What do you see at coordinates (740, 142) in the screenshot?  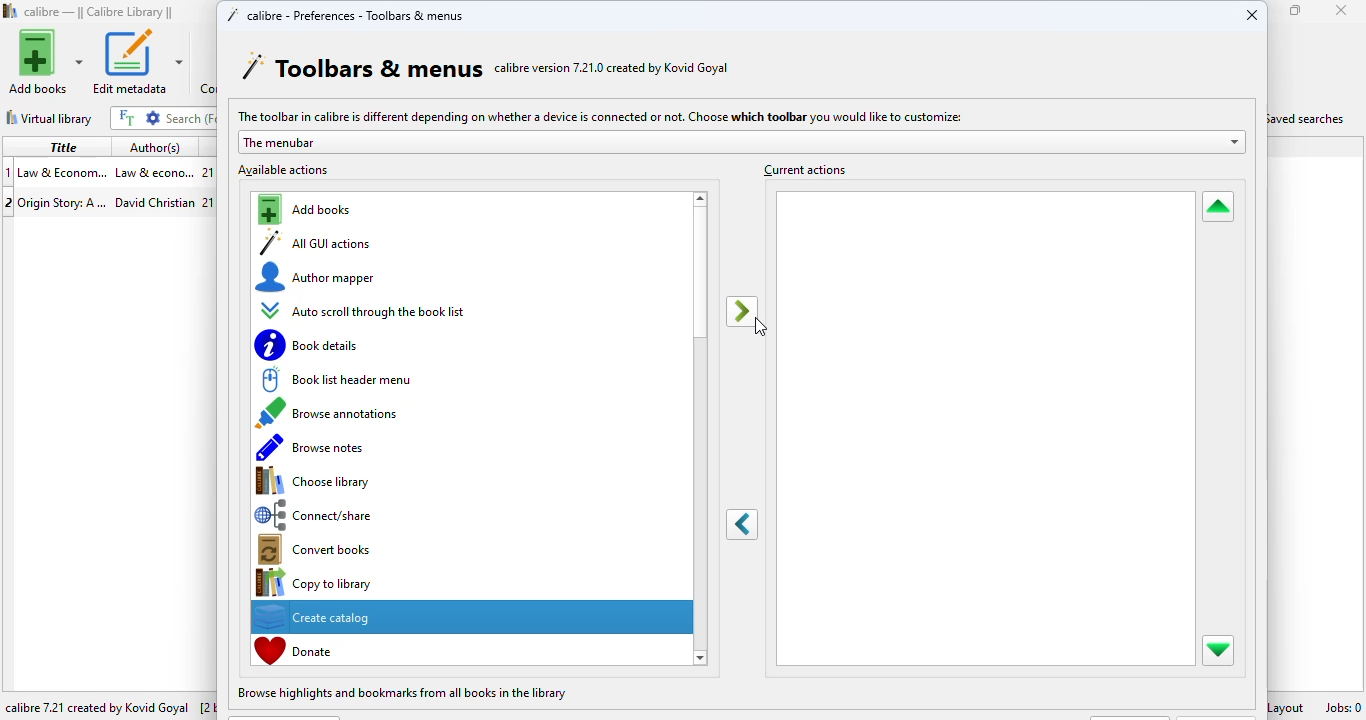 I see `the menubar` at bounding box center [740, 142].